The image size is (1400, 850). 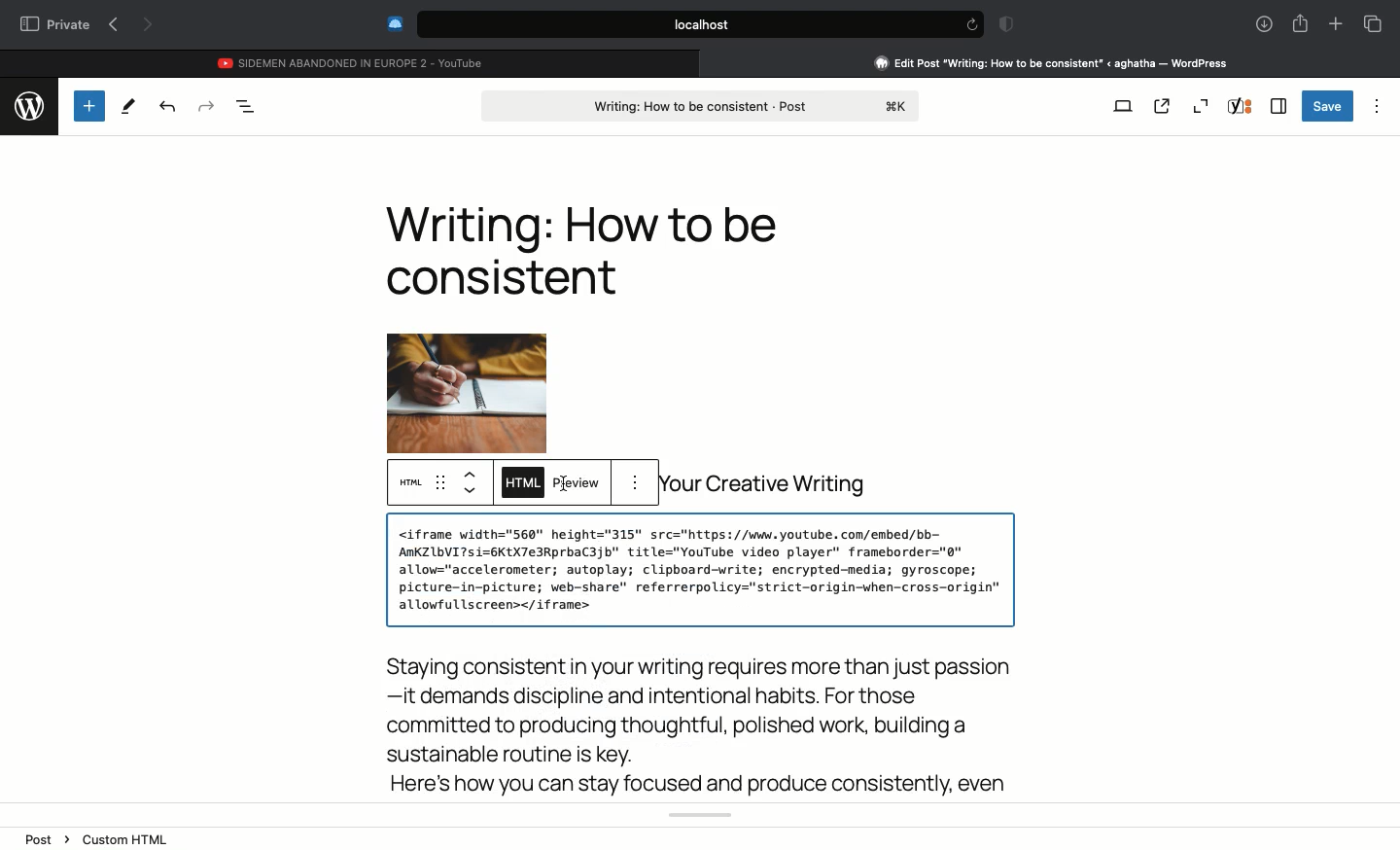 What do you see at coordinates (167, 106) in the screenshot?
I see `Undo` at bounding box center [167, 106].